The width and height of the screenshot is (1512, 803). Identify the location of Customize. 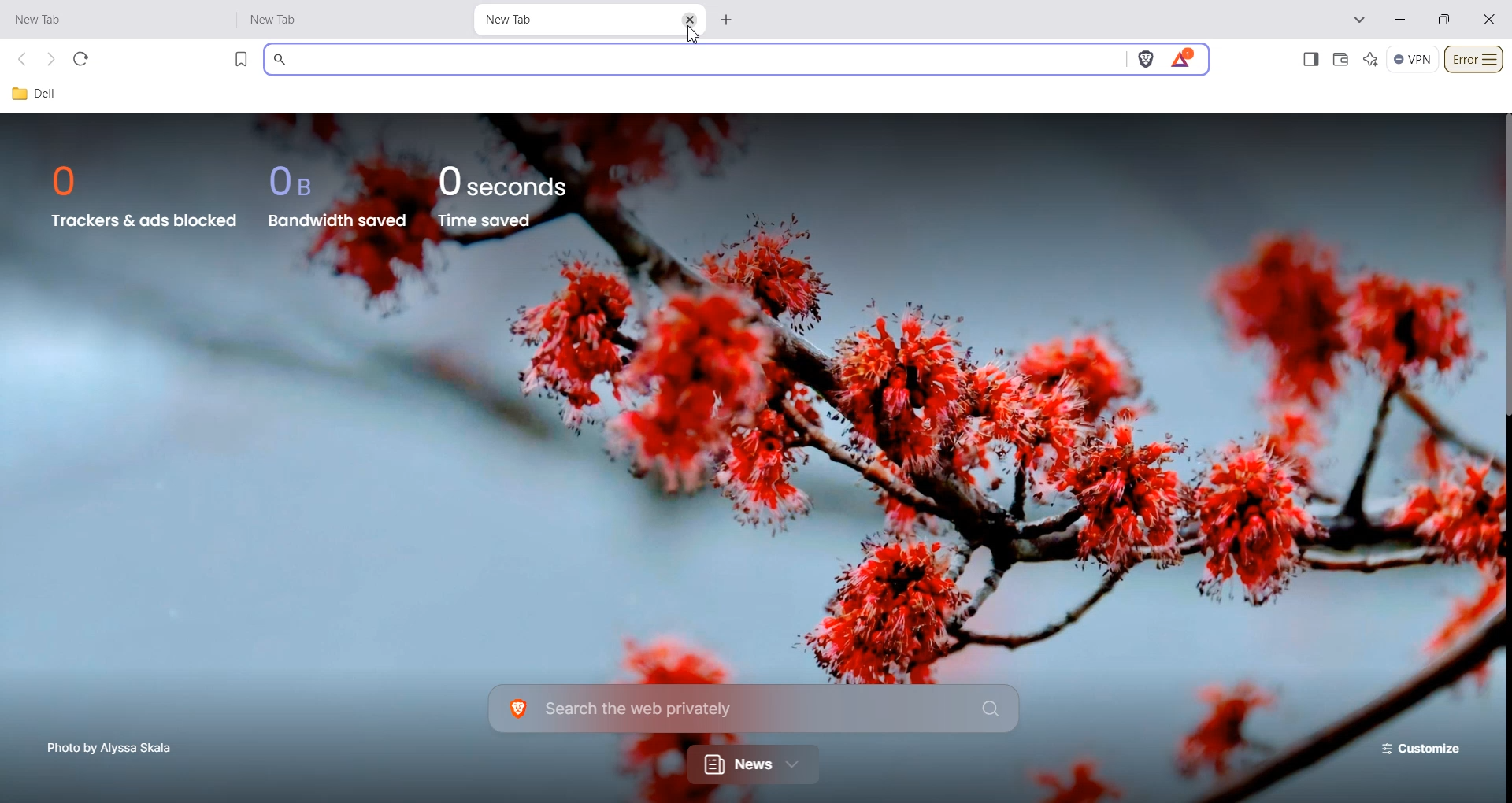
(1416, 748).